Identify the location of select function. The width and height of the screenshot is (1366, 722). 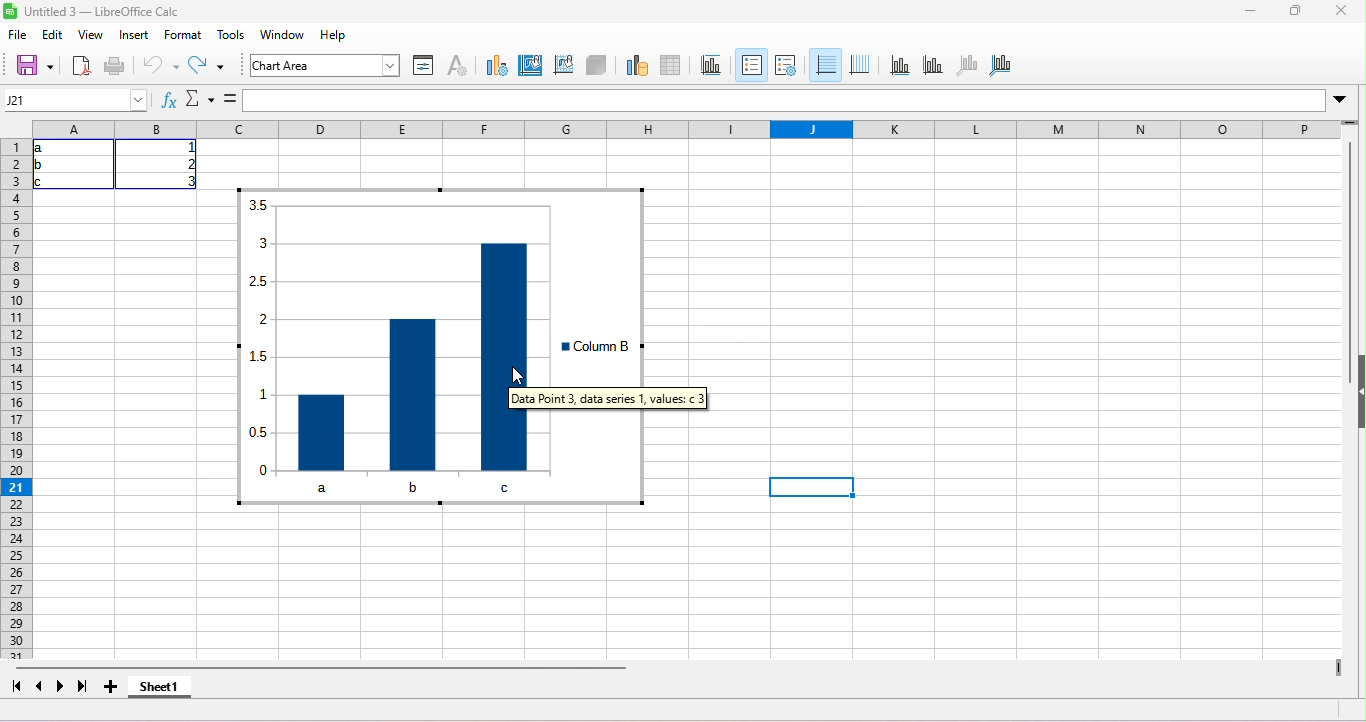
(200, 99).